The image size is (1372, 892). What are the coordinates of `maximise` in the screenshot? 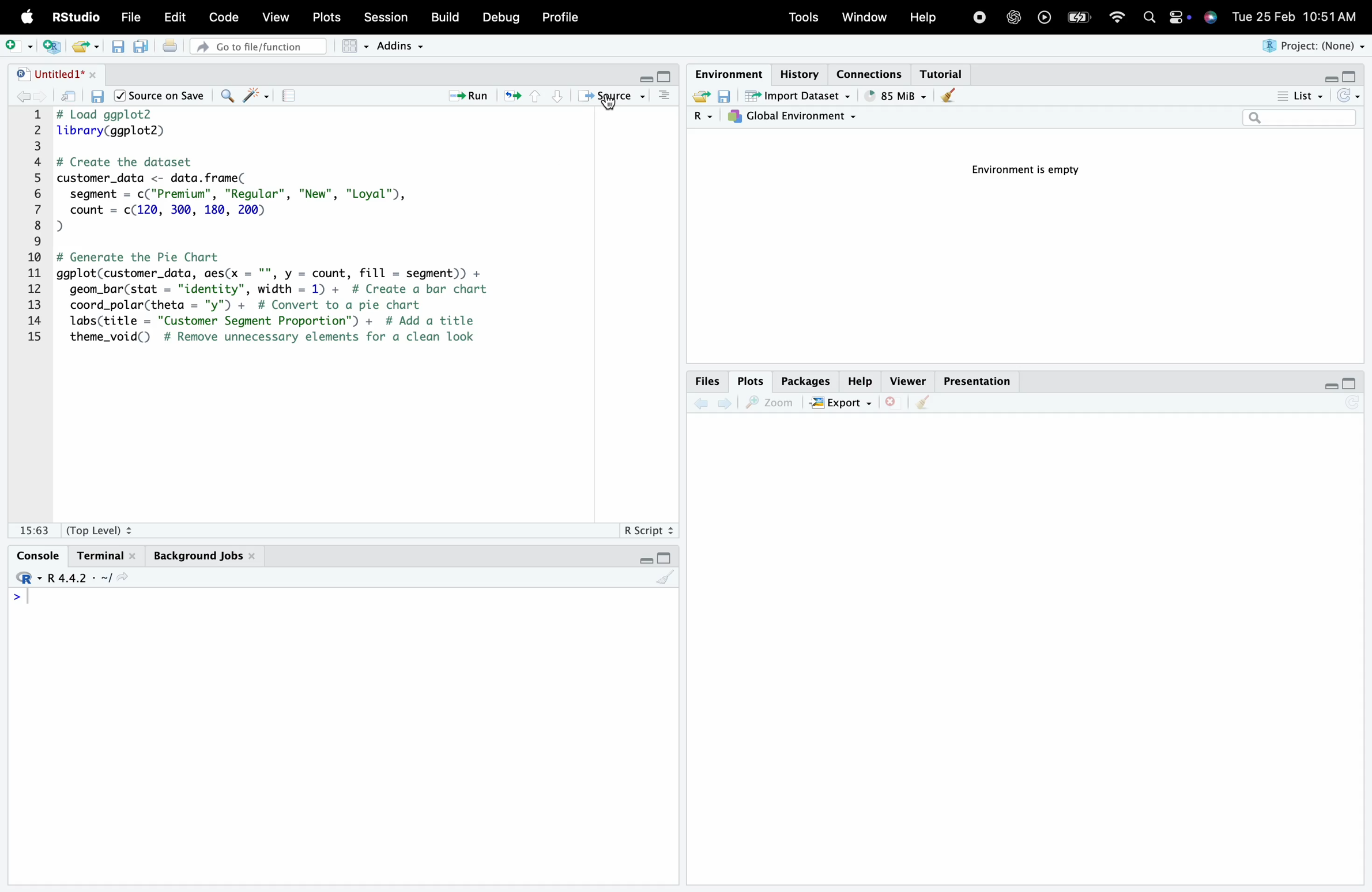 It's located at (666, 75).